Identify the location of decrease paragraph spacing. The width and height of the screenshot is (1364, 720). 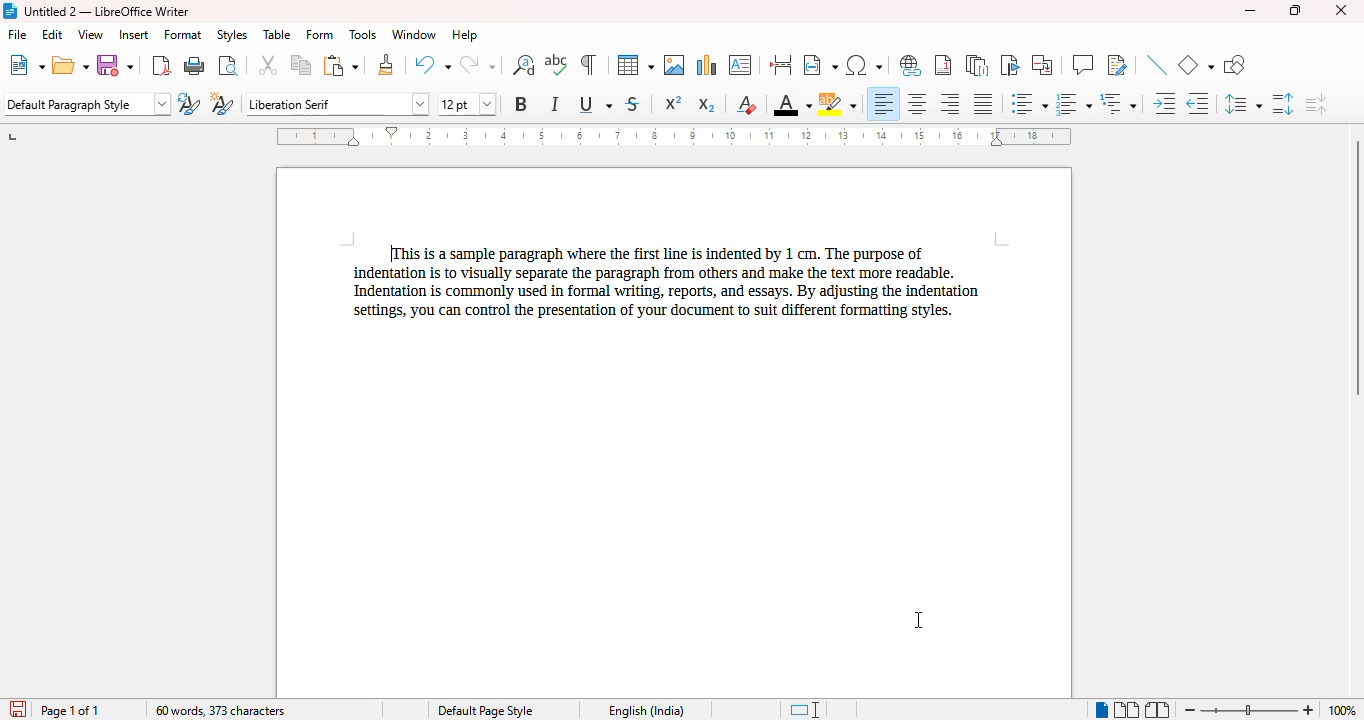
(1315, 103).